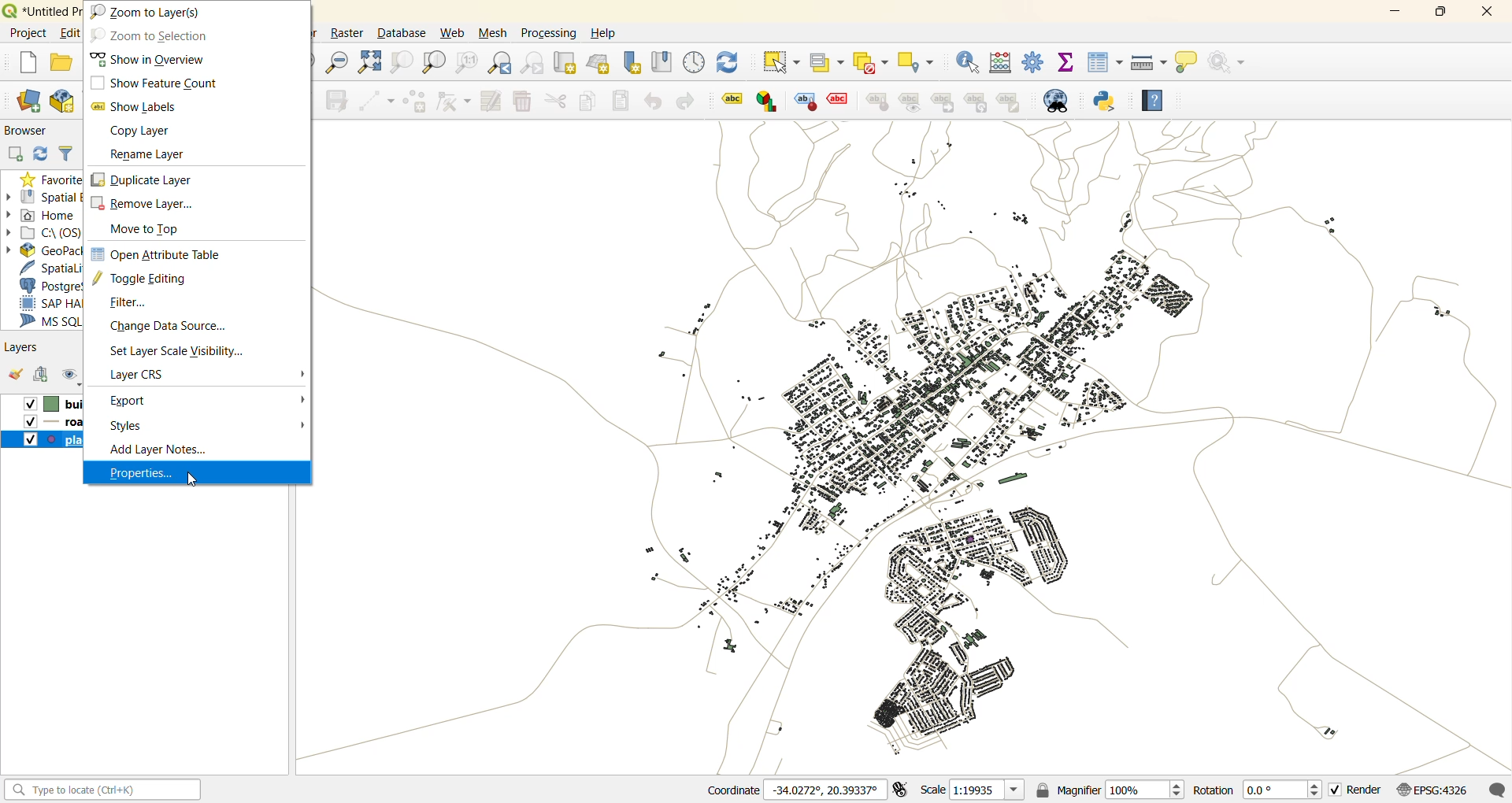 The height and width of the screenshot is (803, 1512). Describe the element at coordinates (549, 35) in the screenshot. I see `processing` at that location.